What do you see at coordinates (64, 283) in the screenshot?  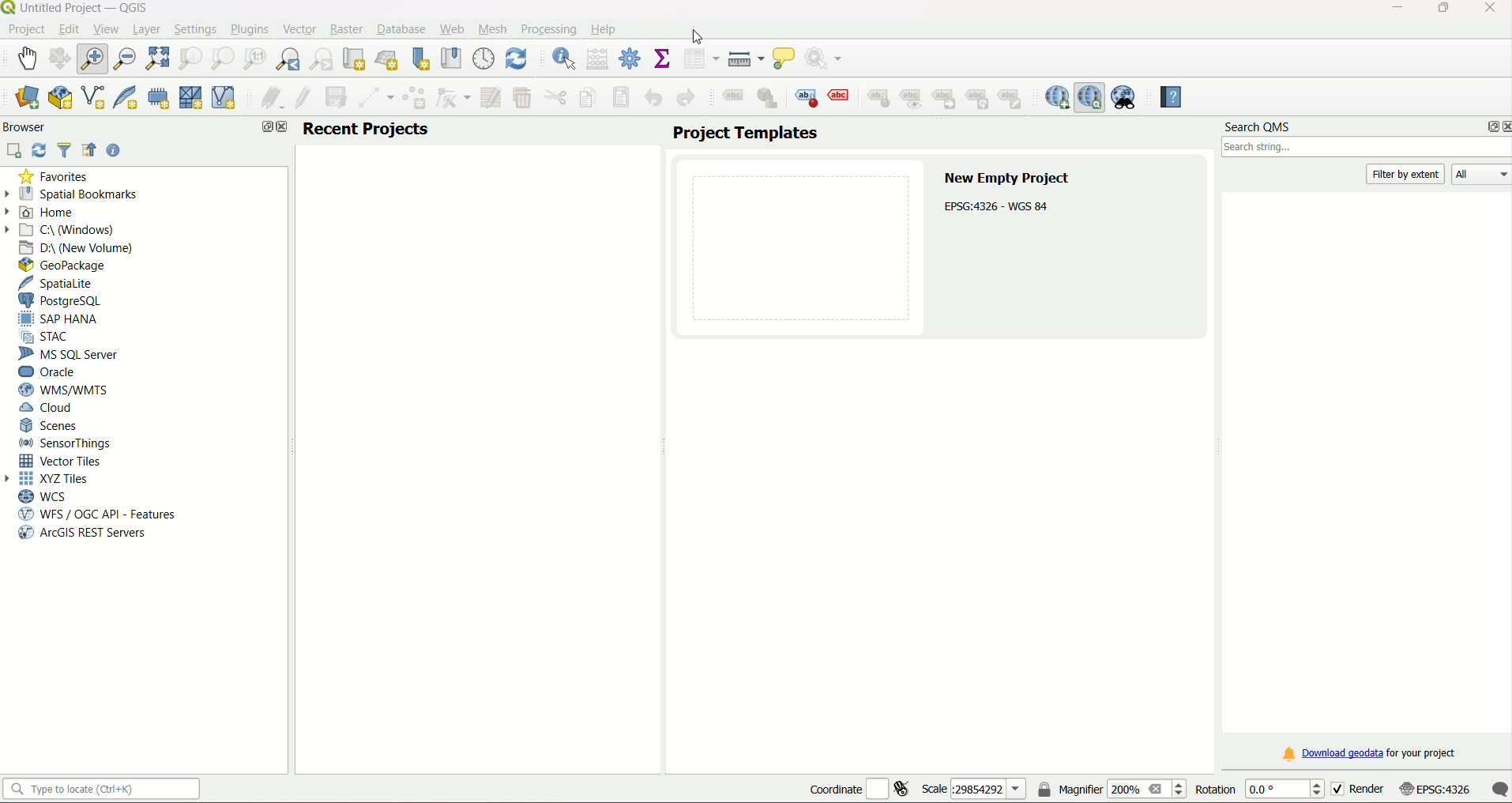 I see `Spatial Lite` at bounding box center [64, 283].